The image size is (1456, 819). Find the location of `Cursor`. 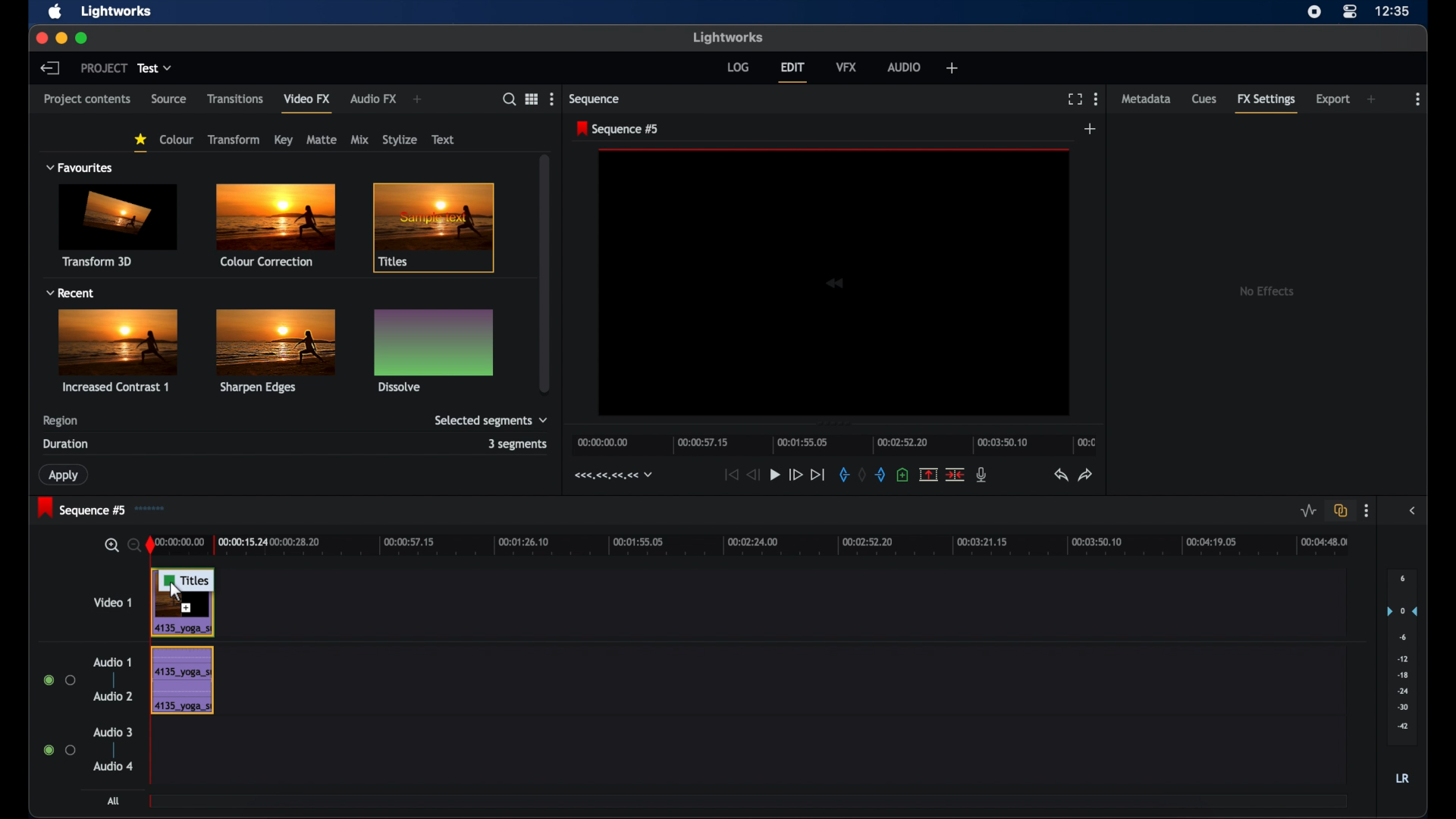

Cursor is located at coordinates (177, 595).